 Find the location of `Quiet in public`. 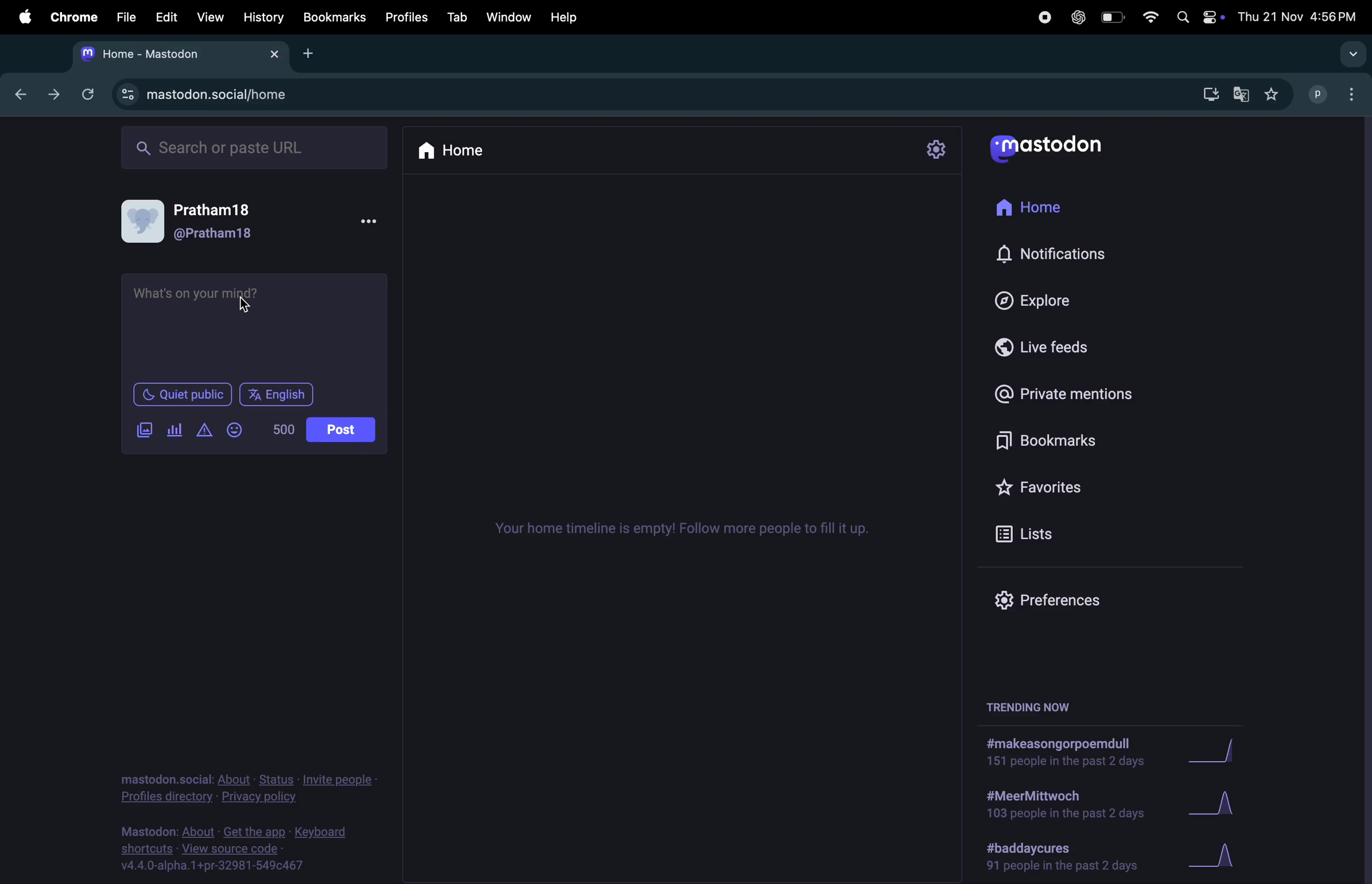

Quiet in public is located at coordinates (184, 394).